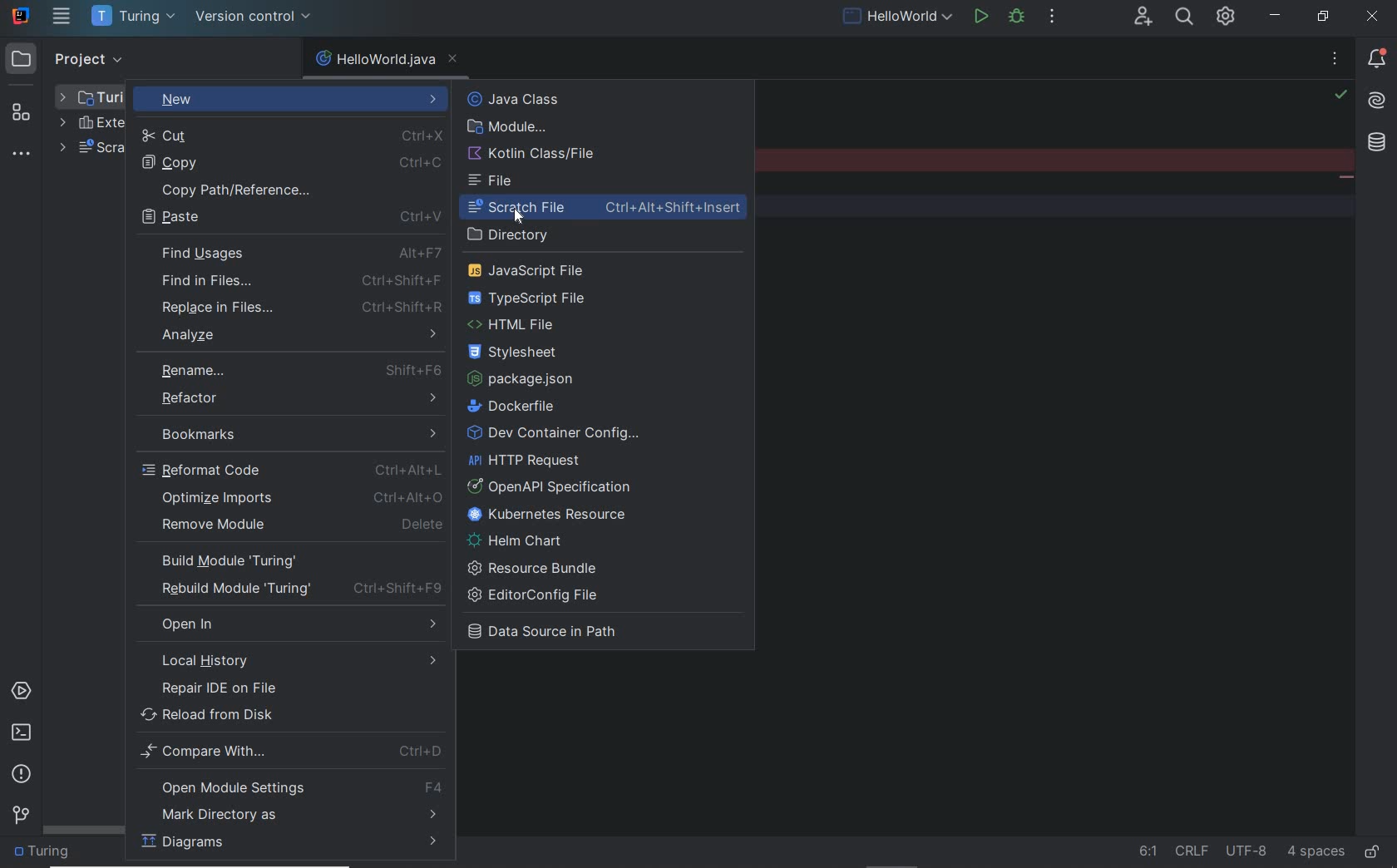 The height and width of the screenshot is (868, 1397). I want to click on project folder, so click(92, 96).